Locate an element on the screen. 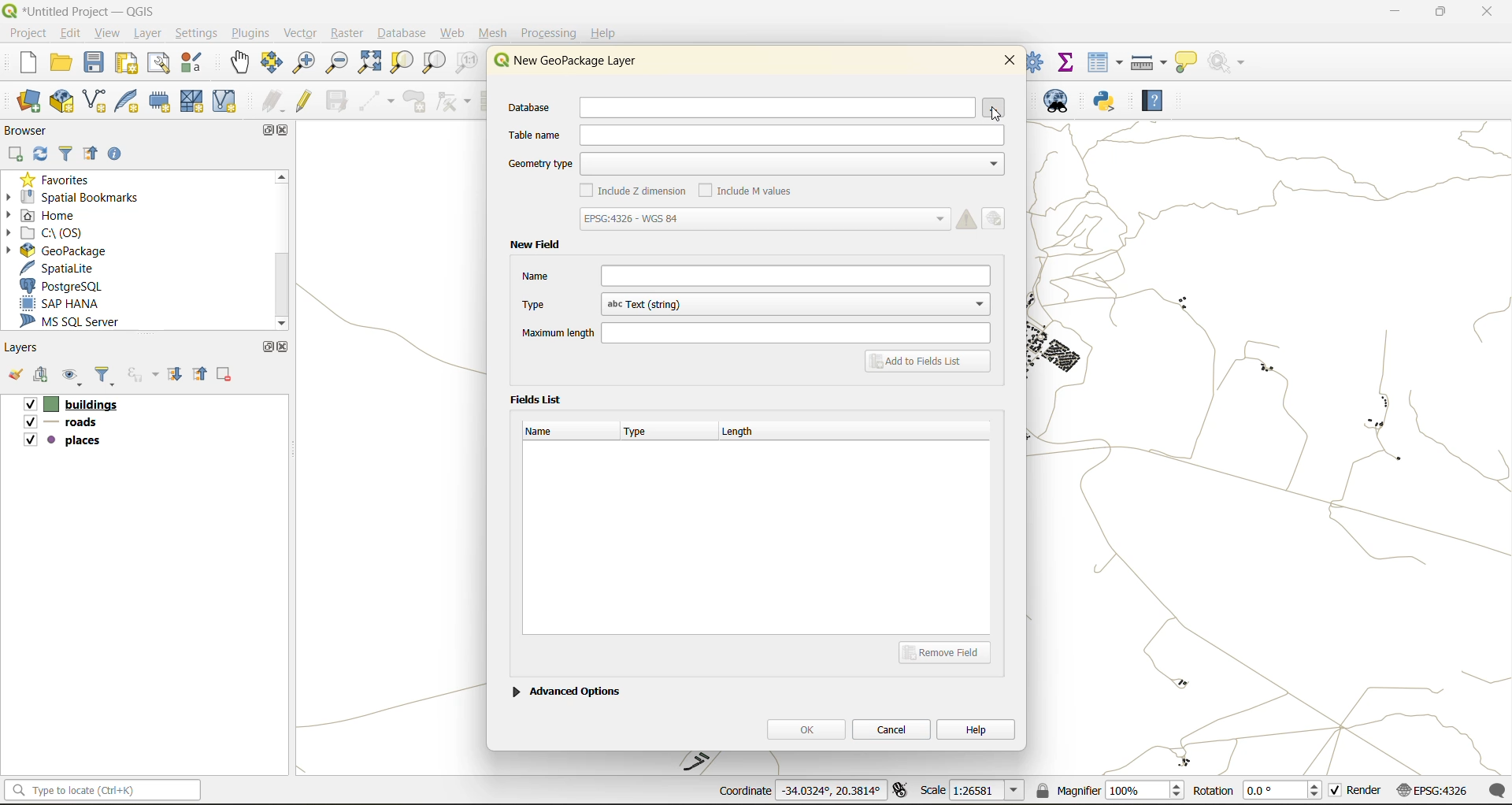 Image resolution: width=1512 pixels, height=805 pixels. home is located at coordinates (47, 215).